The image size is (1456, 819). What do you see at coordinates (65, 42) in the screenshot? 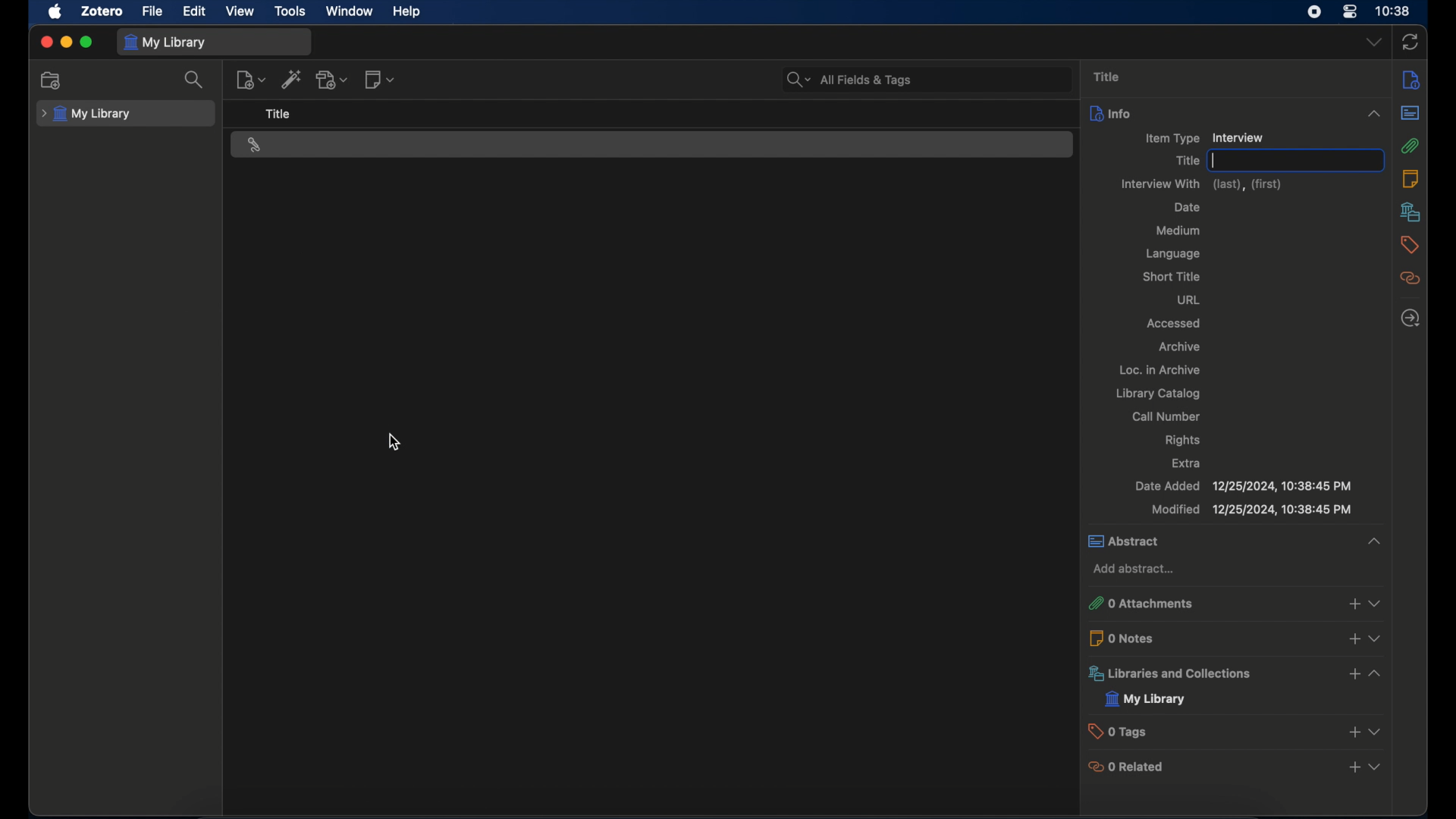
I see `minimize` at bounding box center [65, 42].